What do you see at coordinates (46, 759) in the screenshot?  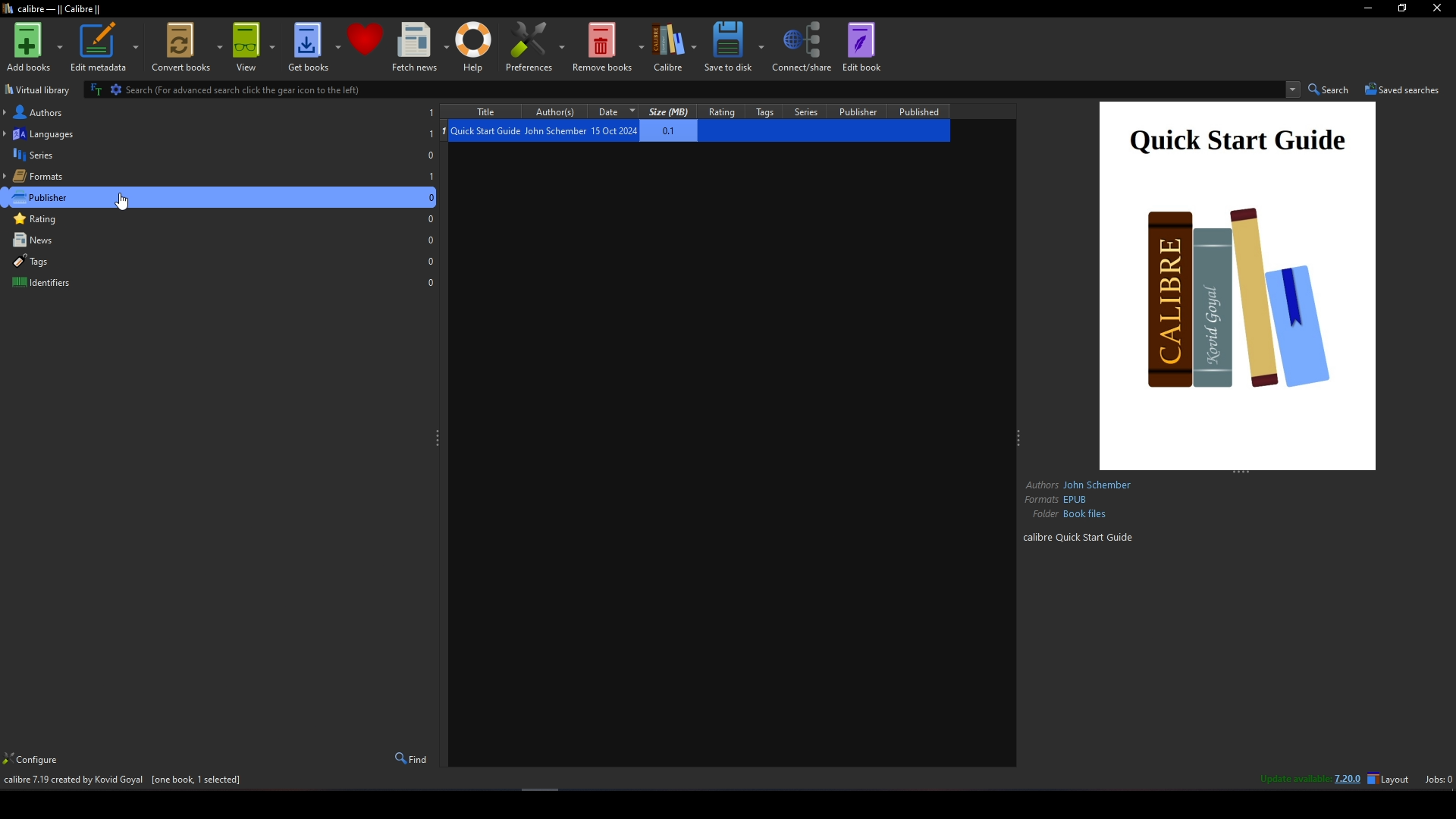 I see `Configure` at bounding box center [46, 759].